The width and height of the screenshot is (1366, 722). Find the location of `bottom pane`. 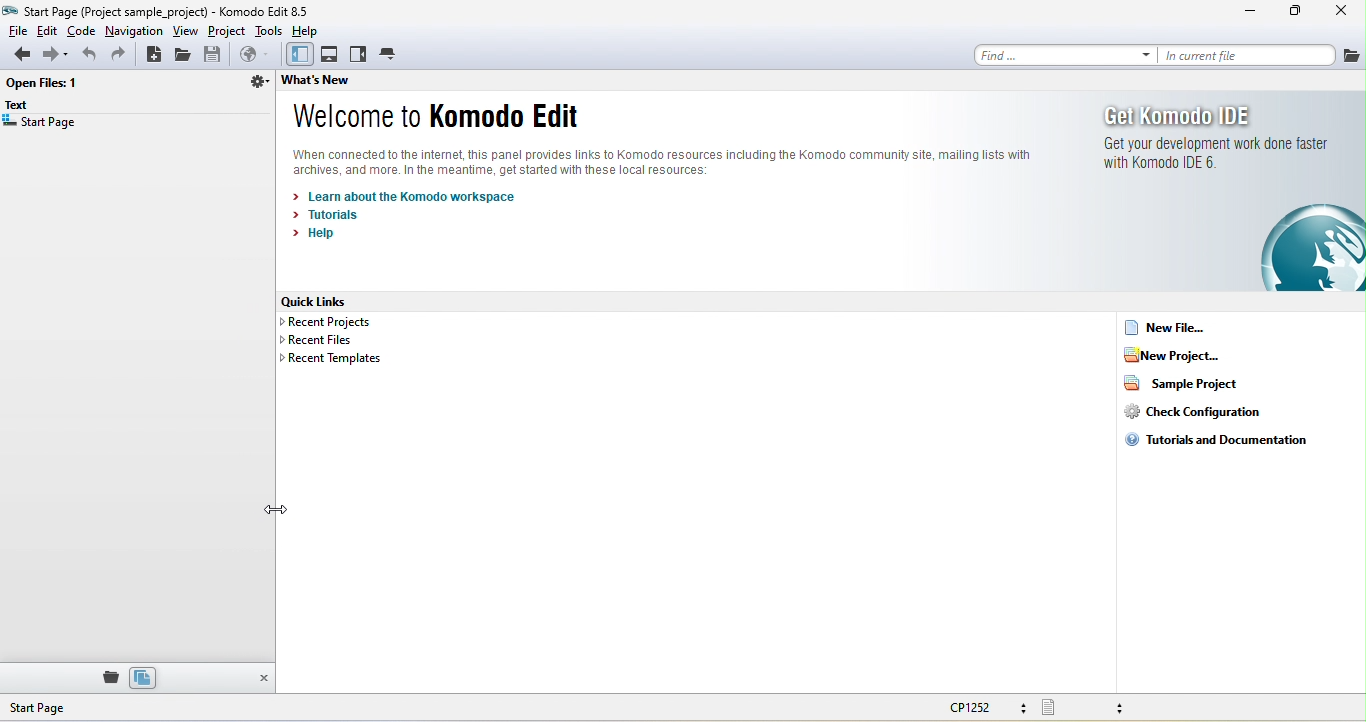

bottom pane is located at coordinates (331, 55).